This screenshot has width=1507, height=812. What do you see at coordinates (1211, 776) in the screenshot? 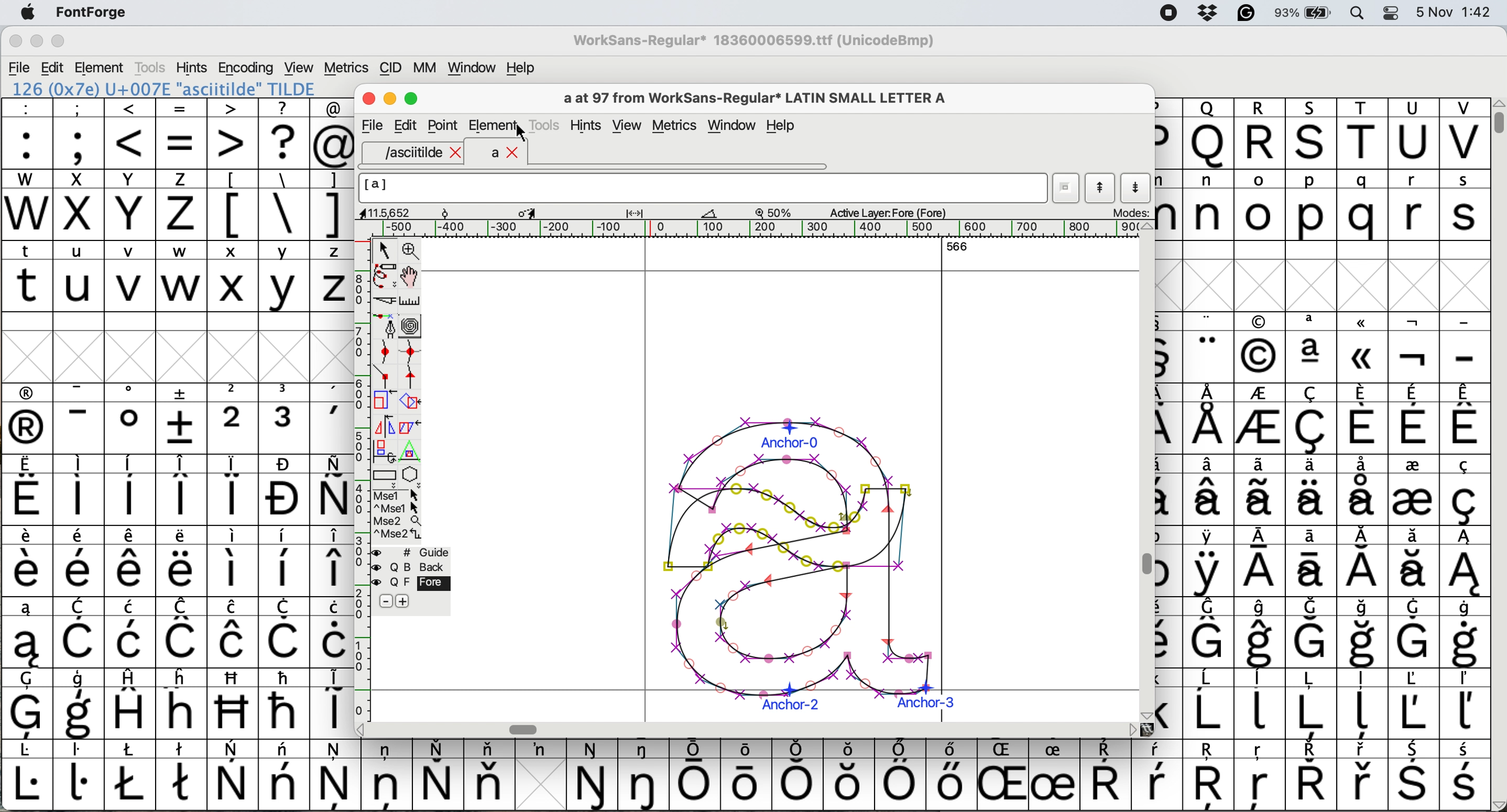
I see `` at bounding box center [1211, 776].